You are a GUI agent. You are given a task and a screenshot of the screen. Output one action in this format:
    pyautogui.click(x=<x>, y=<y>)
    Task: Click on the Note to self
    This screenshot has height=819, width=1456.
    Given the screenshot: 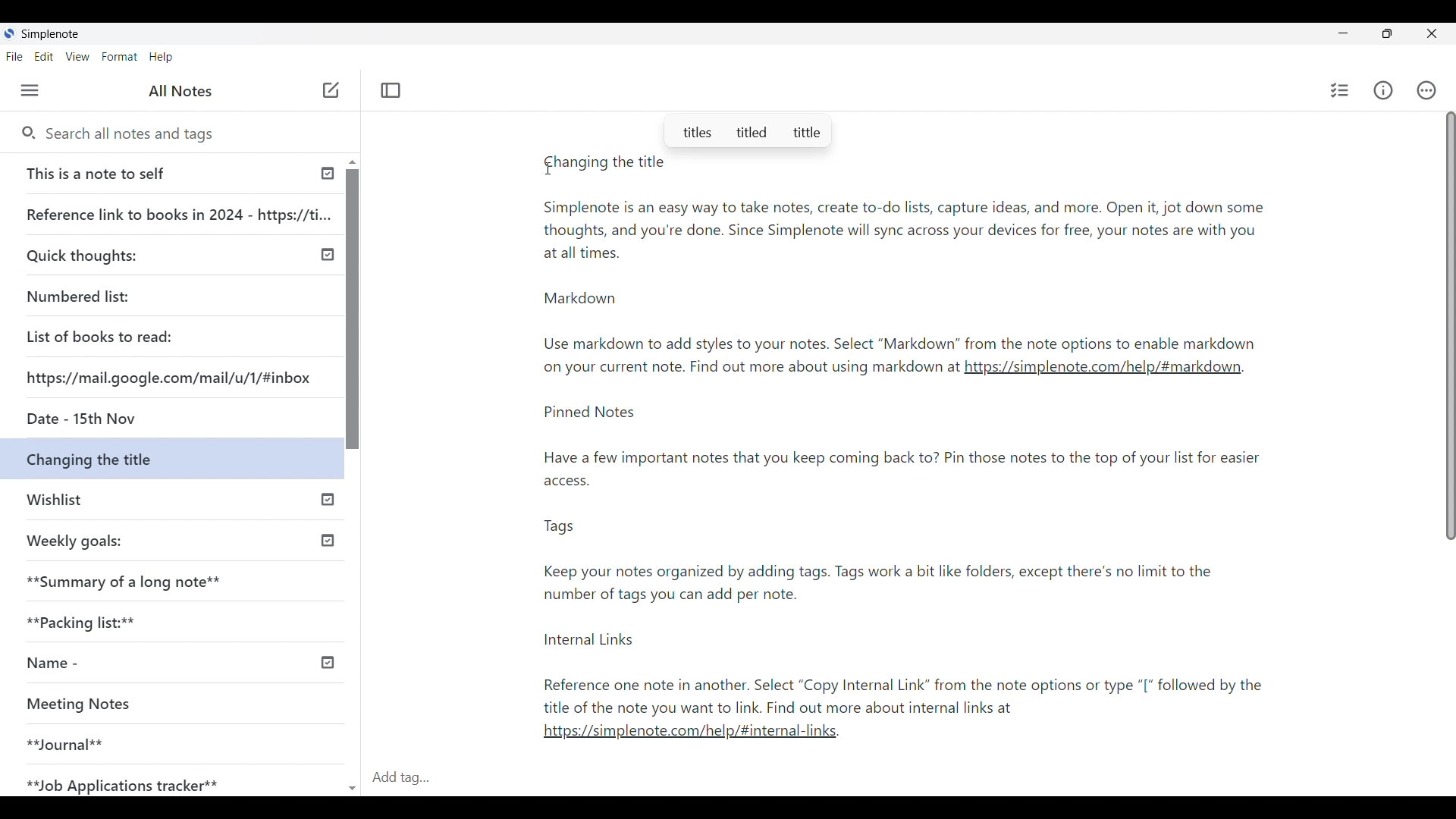 What is the action you would take?
    pyautogui.click(x=99, y=173)
    